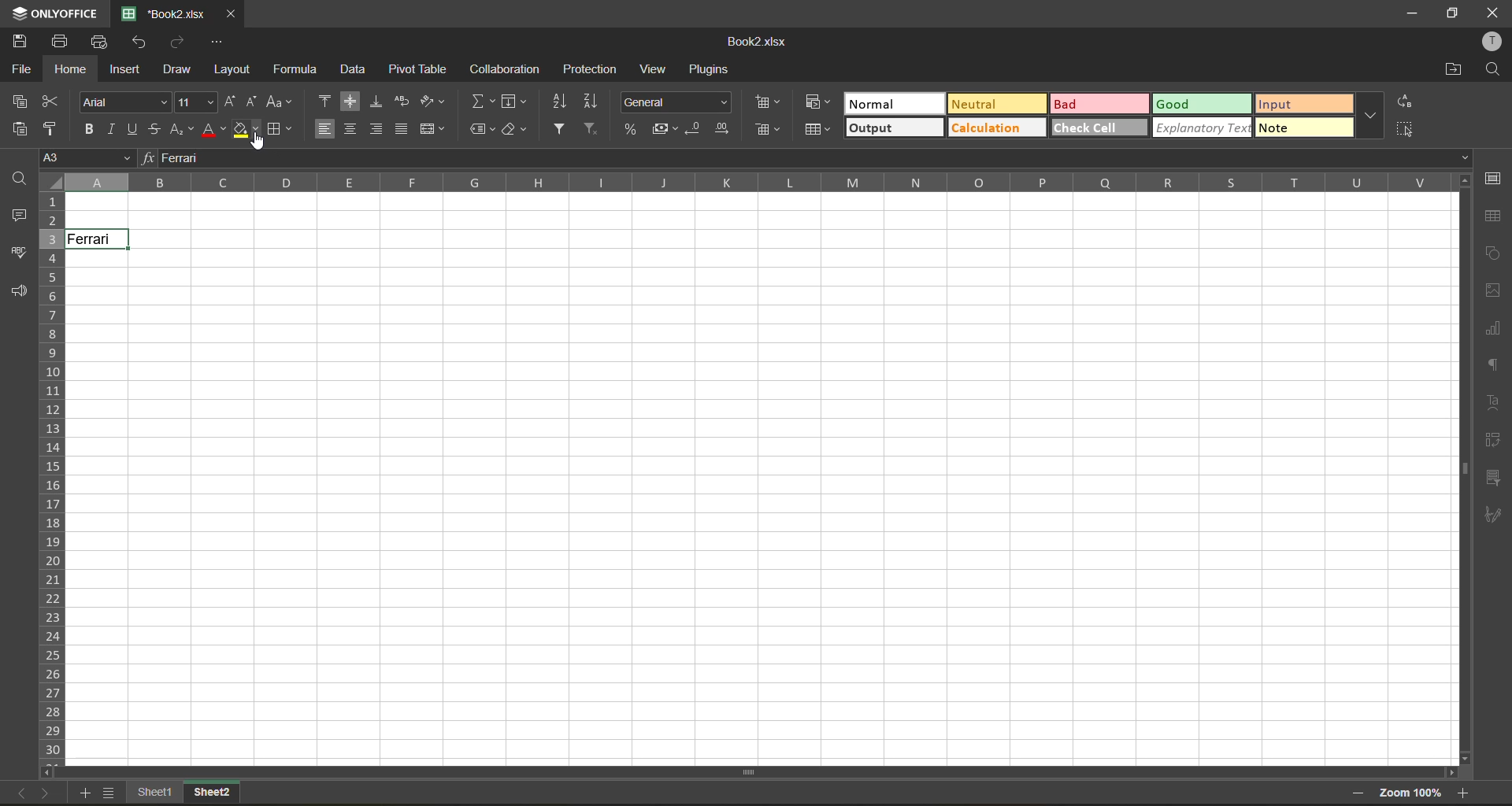 The width and height of the screenshot is (1512, 806). Describe the element at coordinates (17, 216) in the screenshot. I see `comments` at that location.